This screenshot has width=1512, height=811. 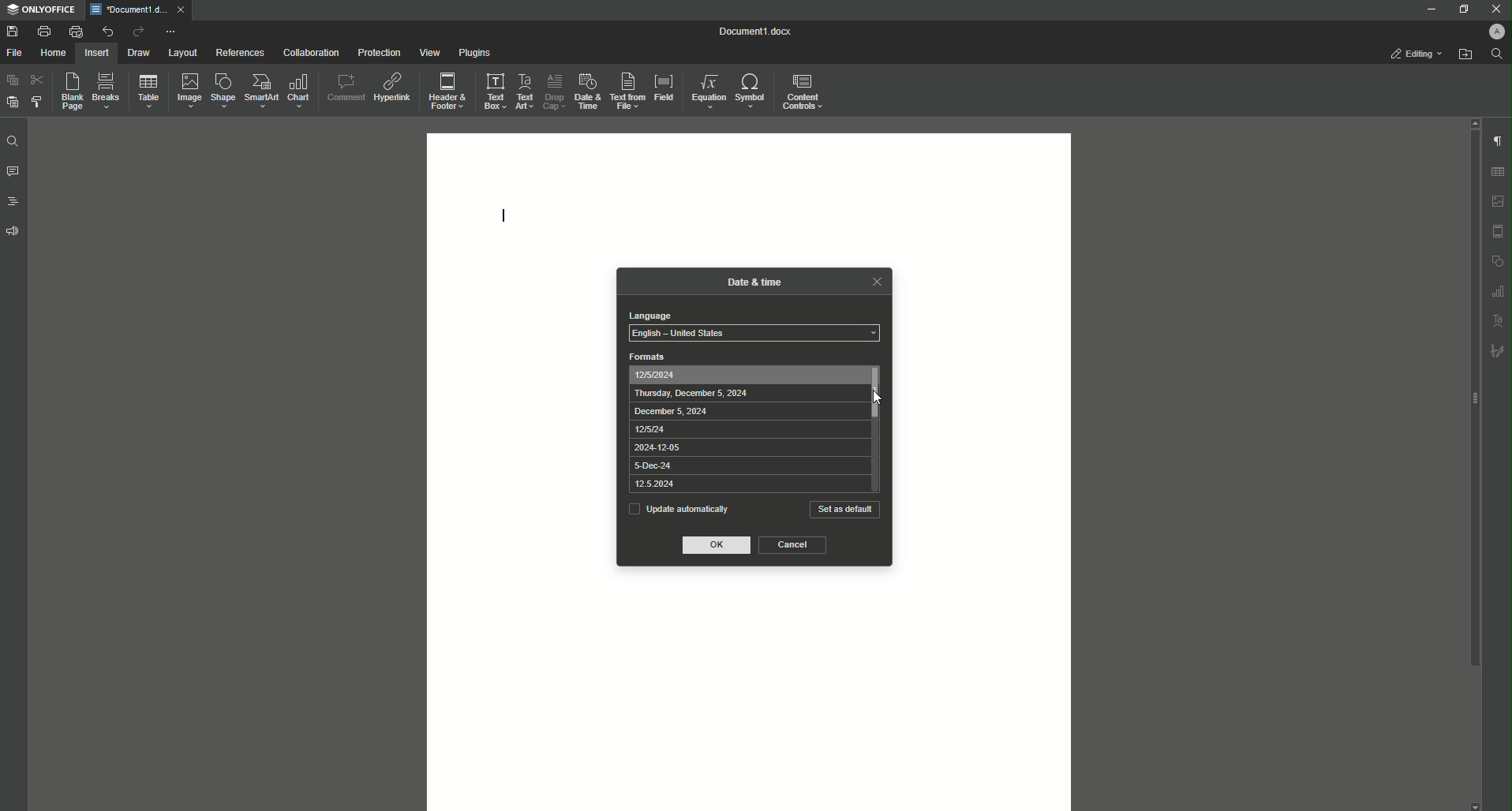 What do you see at coordinates (709, 91) in the screenshot?
I see `Equation` at bounding box center [709, 91].